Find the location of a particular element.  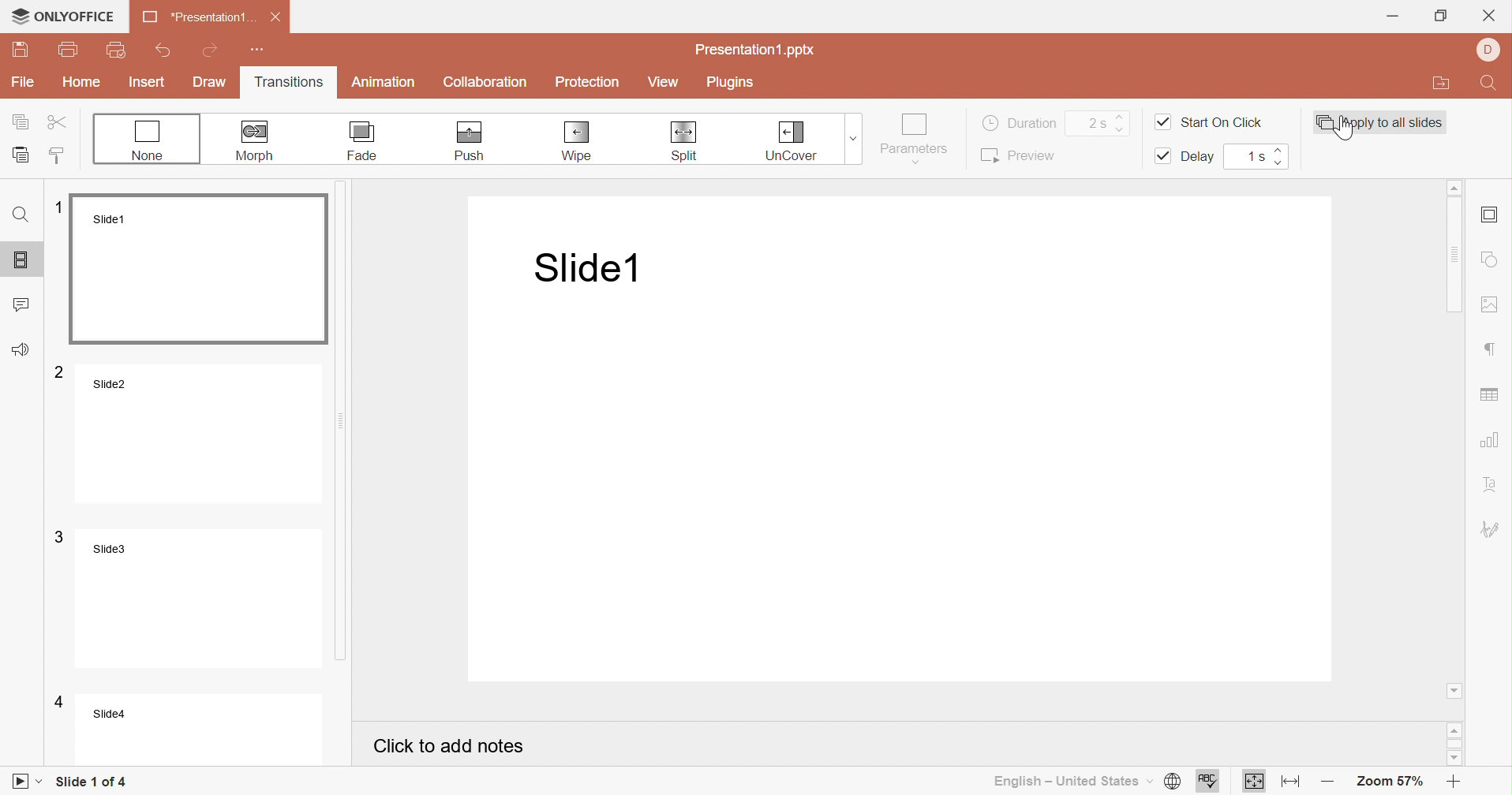

Print file is located at coordinates (69, 48).